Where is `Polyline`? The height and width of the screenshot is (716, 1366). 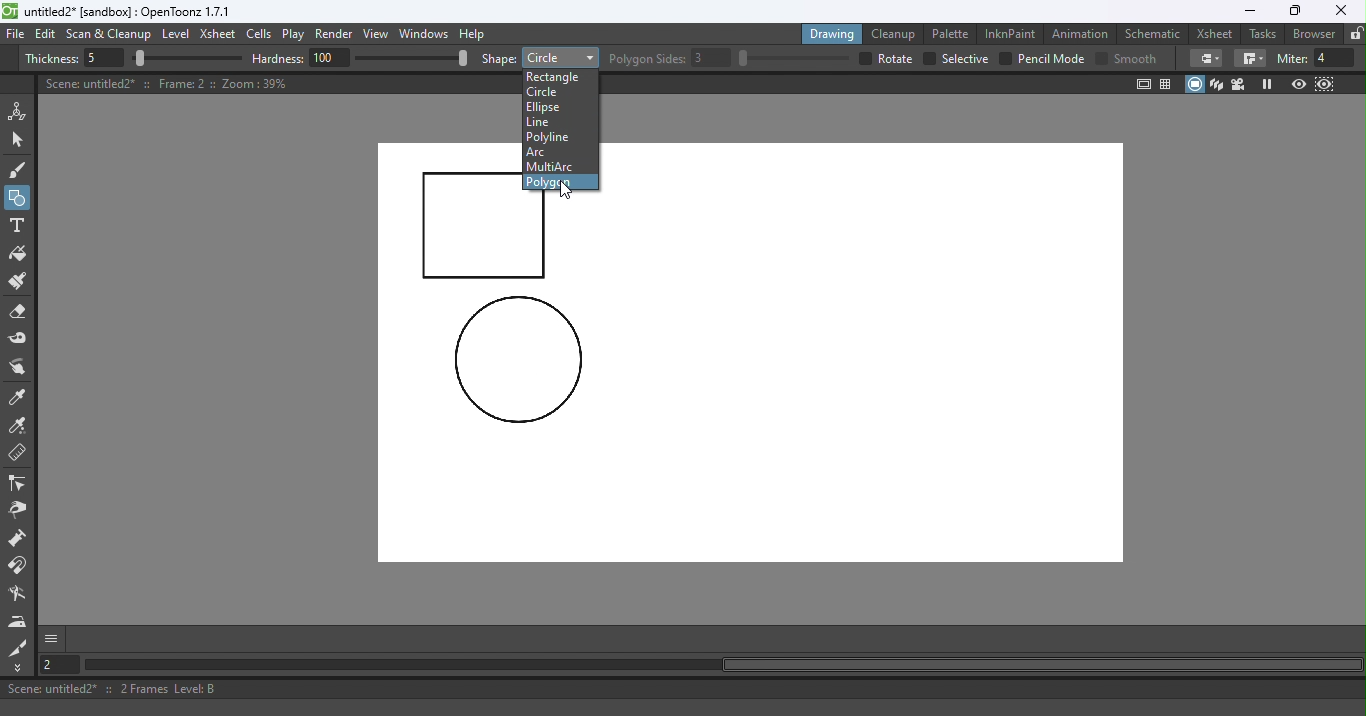 Polyline is located at coordinates (550, 138).